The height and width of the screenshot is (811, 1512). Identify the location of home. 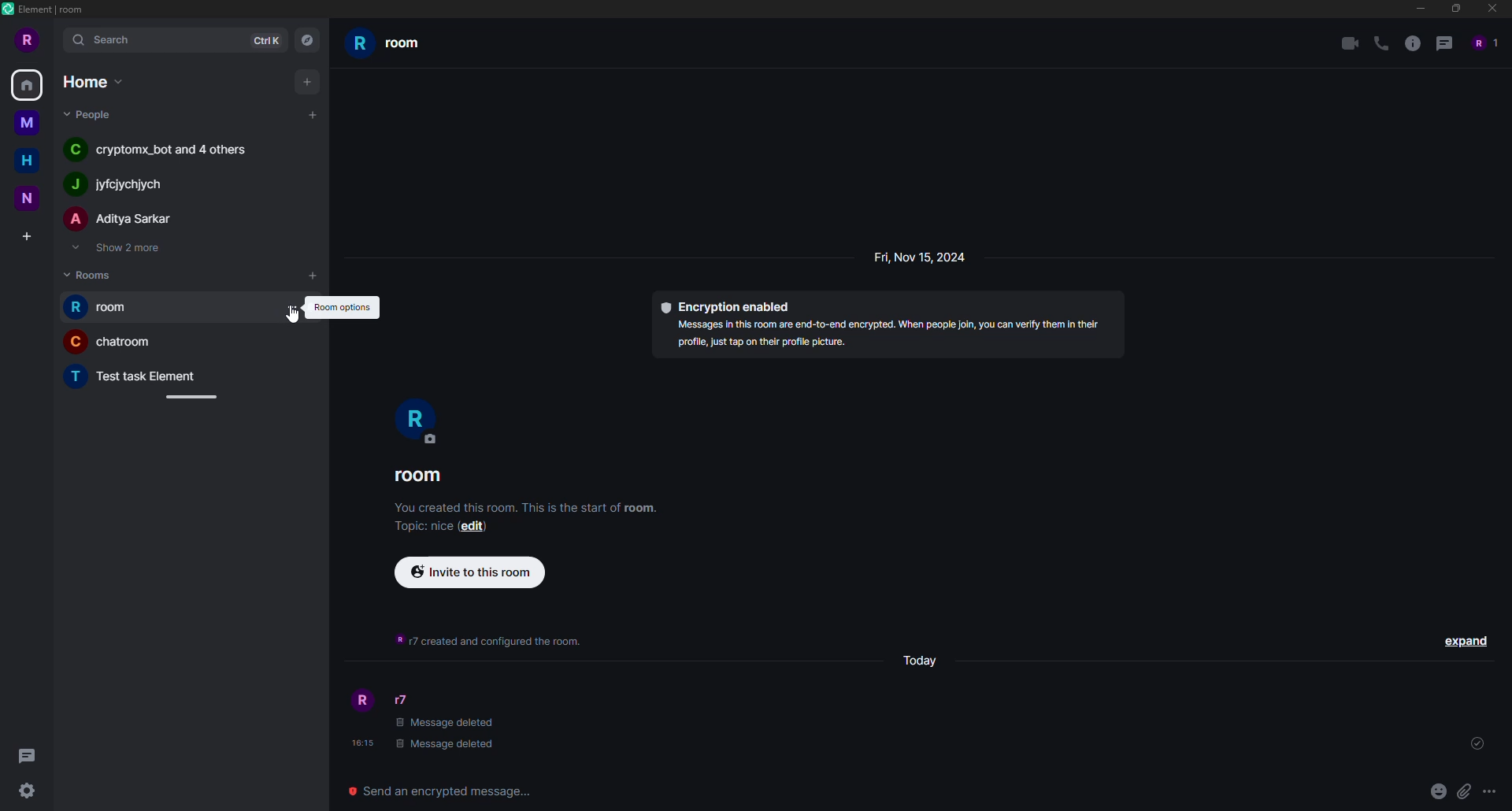
(91, 81).